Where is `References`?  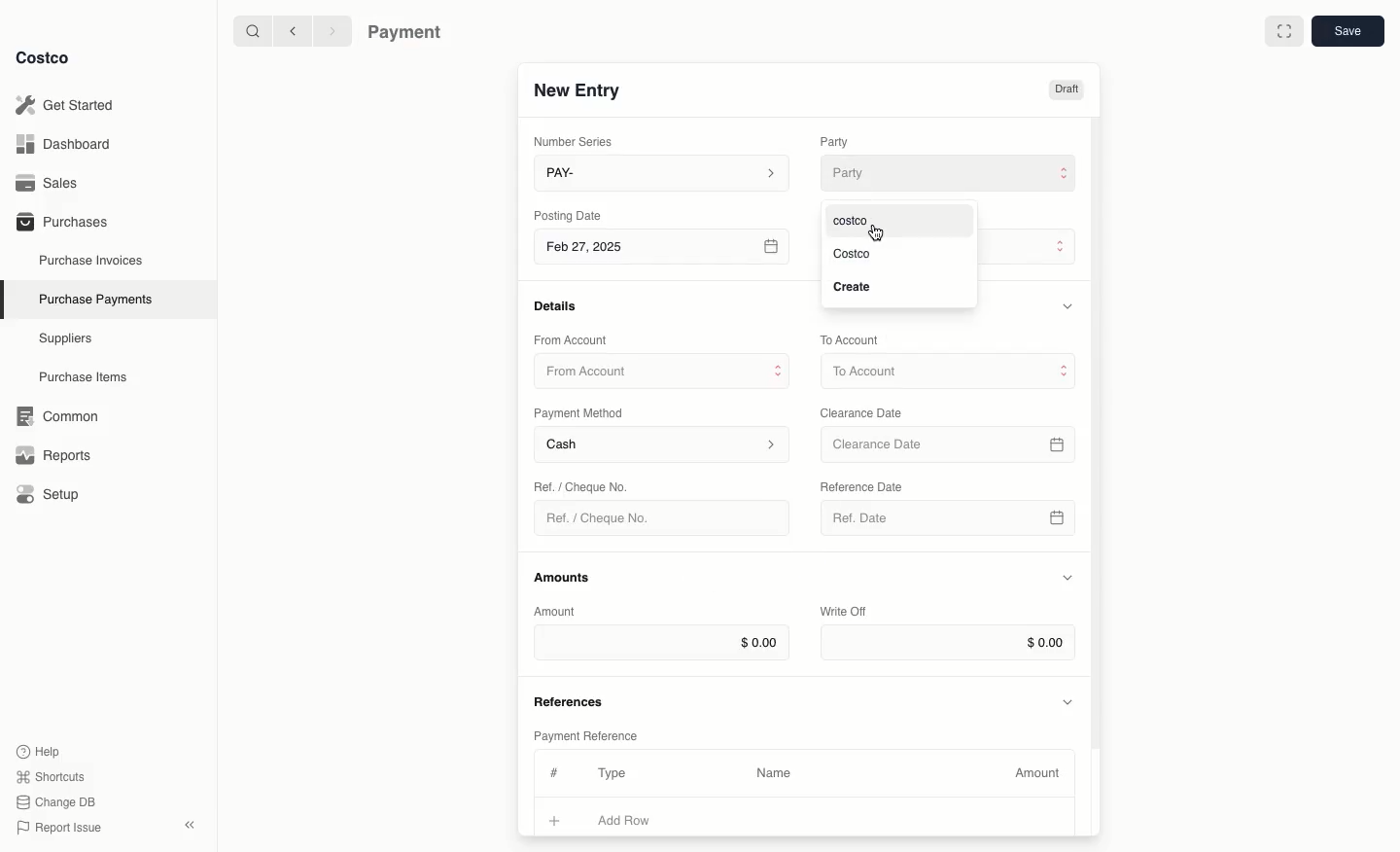
References is located at coordinates (572, 699).